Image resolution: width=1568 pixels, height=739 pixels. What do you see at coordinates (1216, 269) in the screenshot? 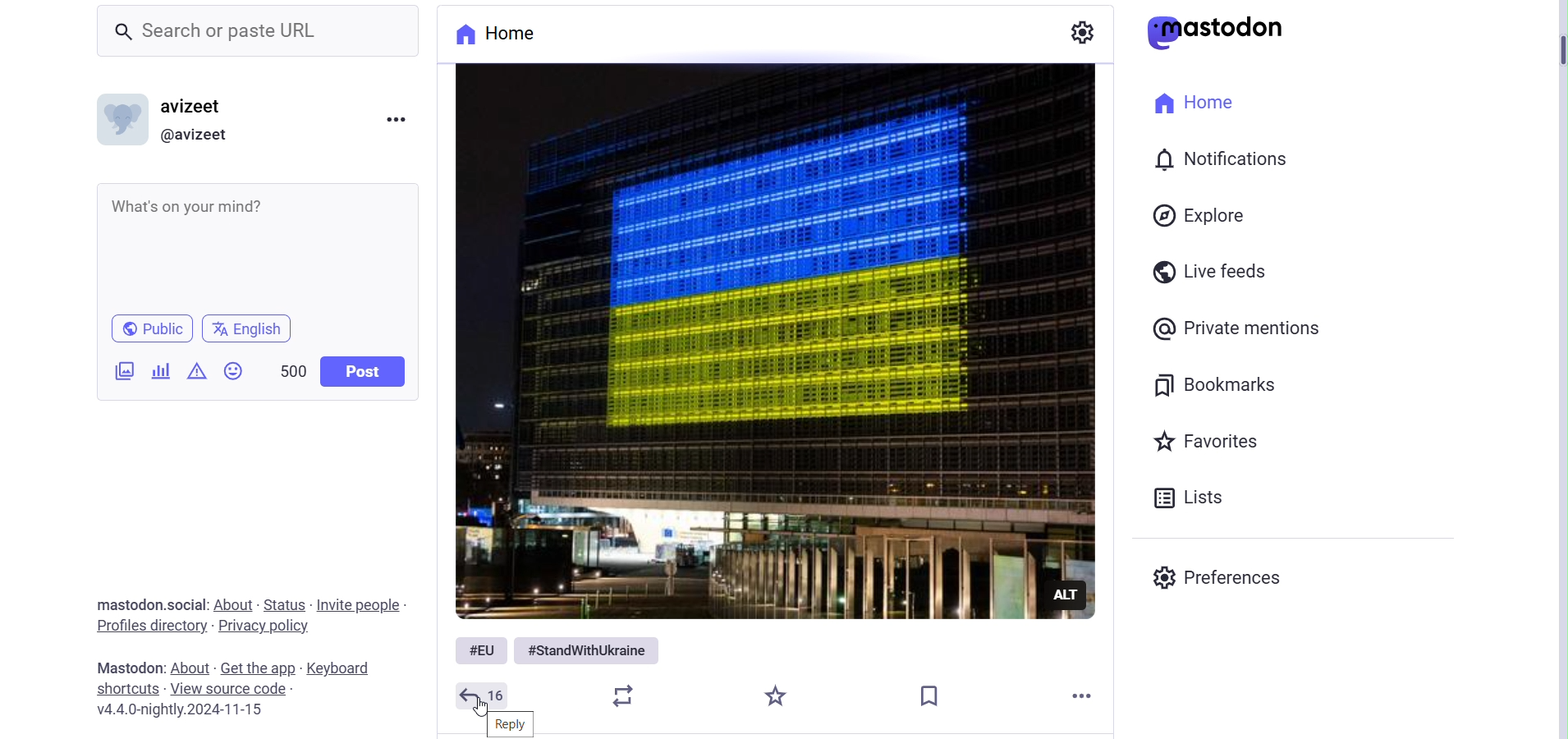
I see `Live Feeds` at bounding box center [1216, 269].